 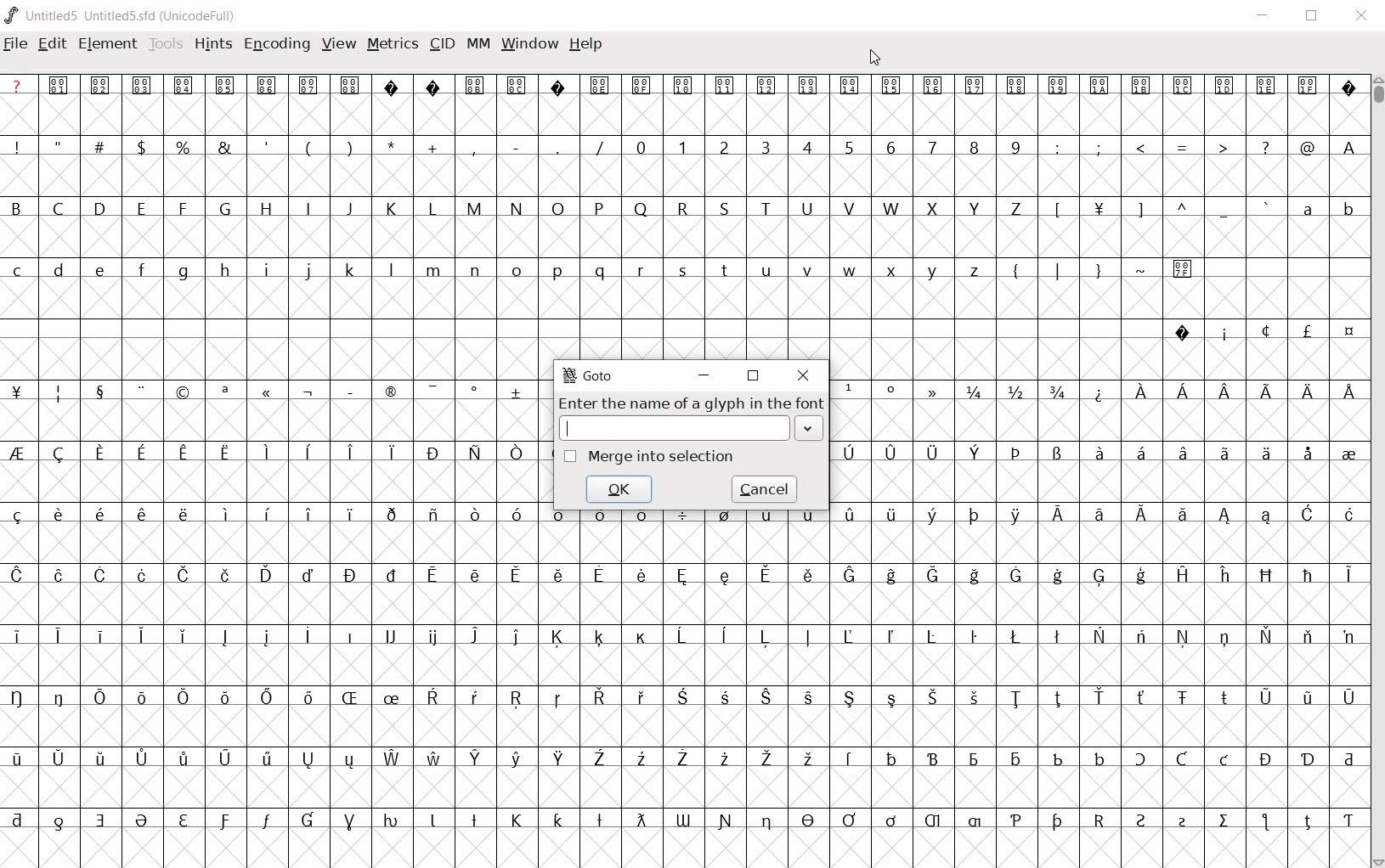 What do you see at coordinates (640, 697) in the screenshot?
I see `Symbol` at bounding box center [640, 697].